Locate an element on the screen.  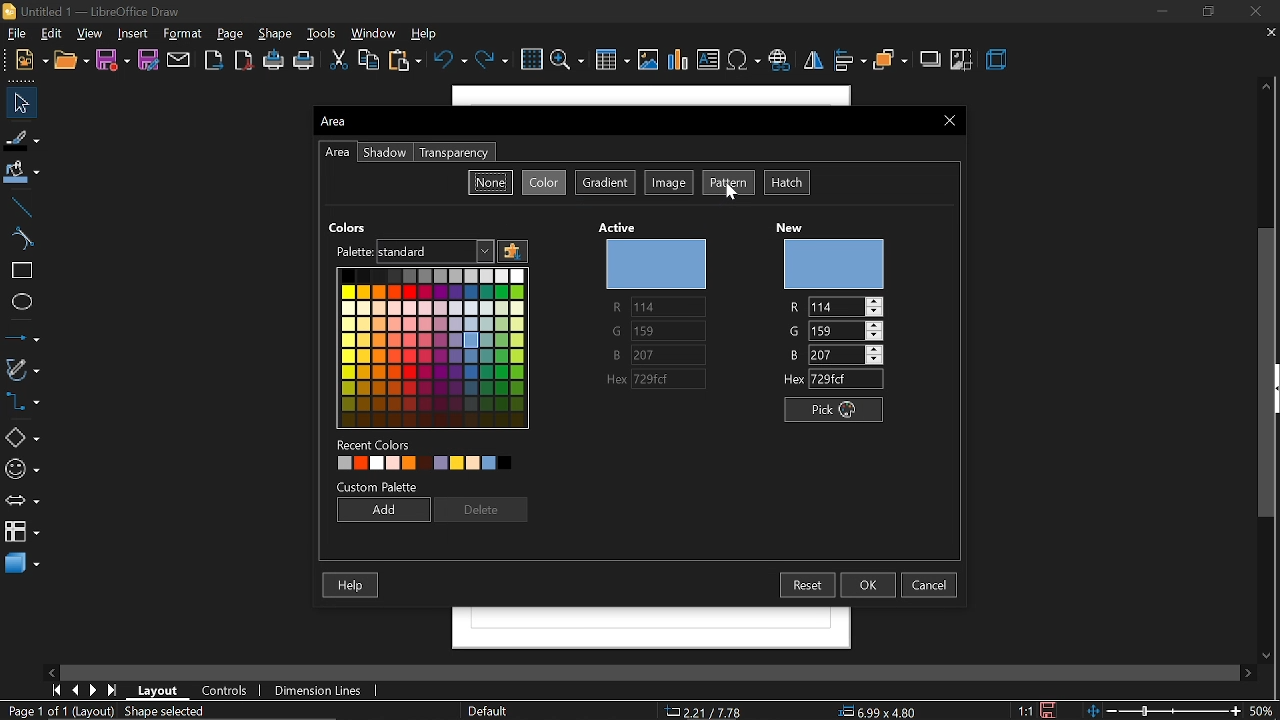
save is located at coordinates (1049, 707).